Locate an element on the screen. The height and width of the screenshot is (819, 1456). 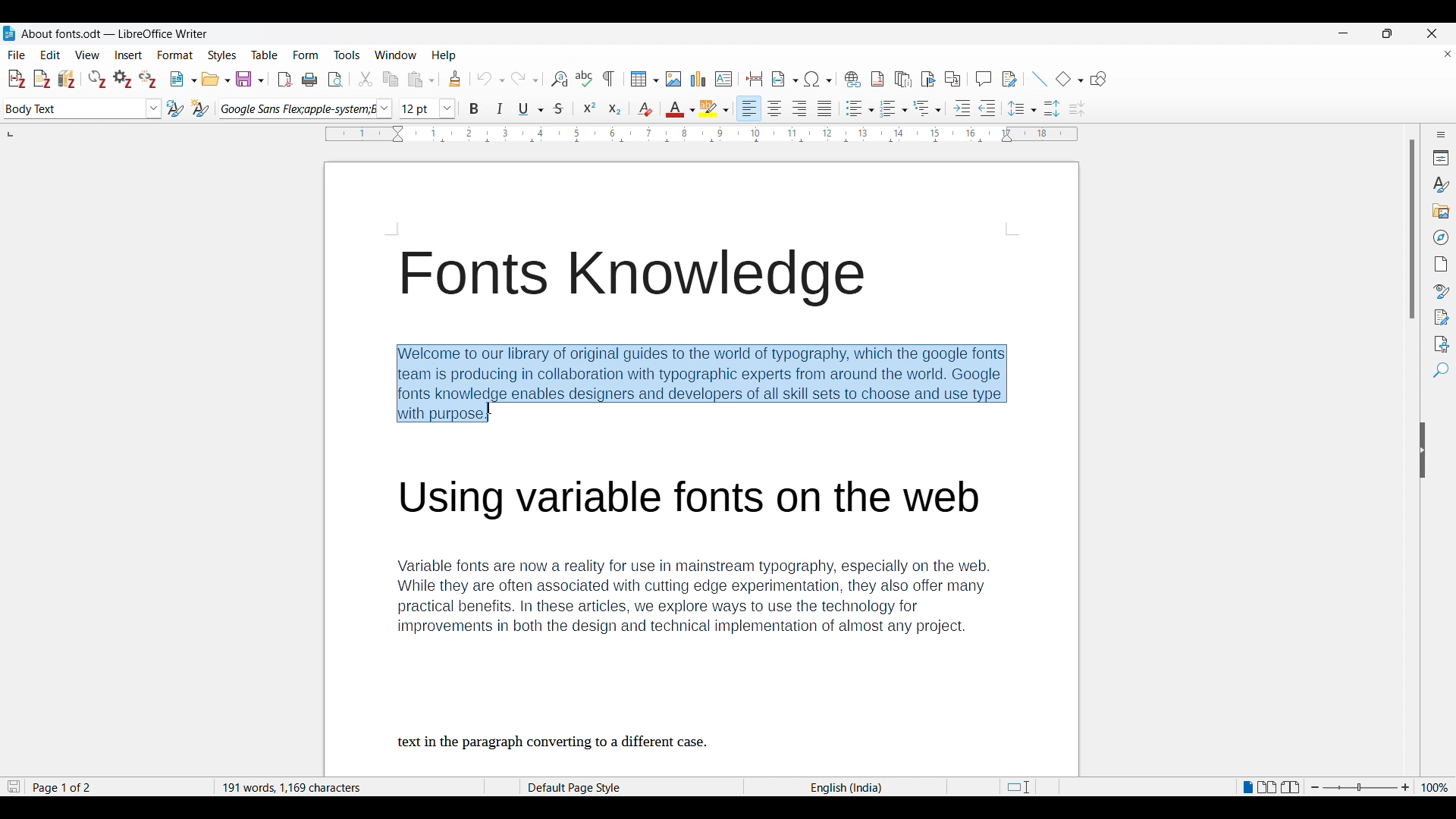
Book view is located at coordinates (1291, 787).